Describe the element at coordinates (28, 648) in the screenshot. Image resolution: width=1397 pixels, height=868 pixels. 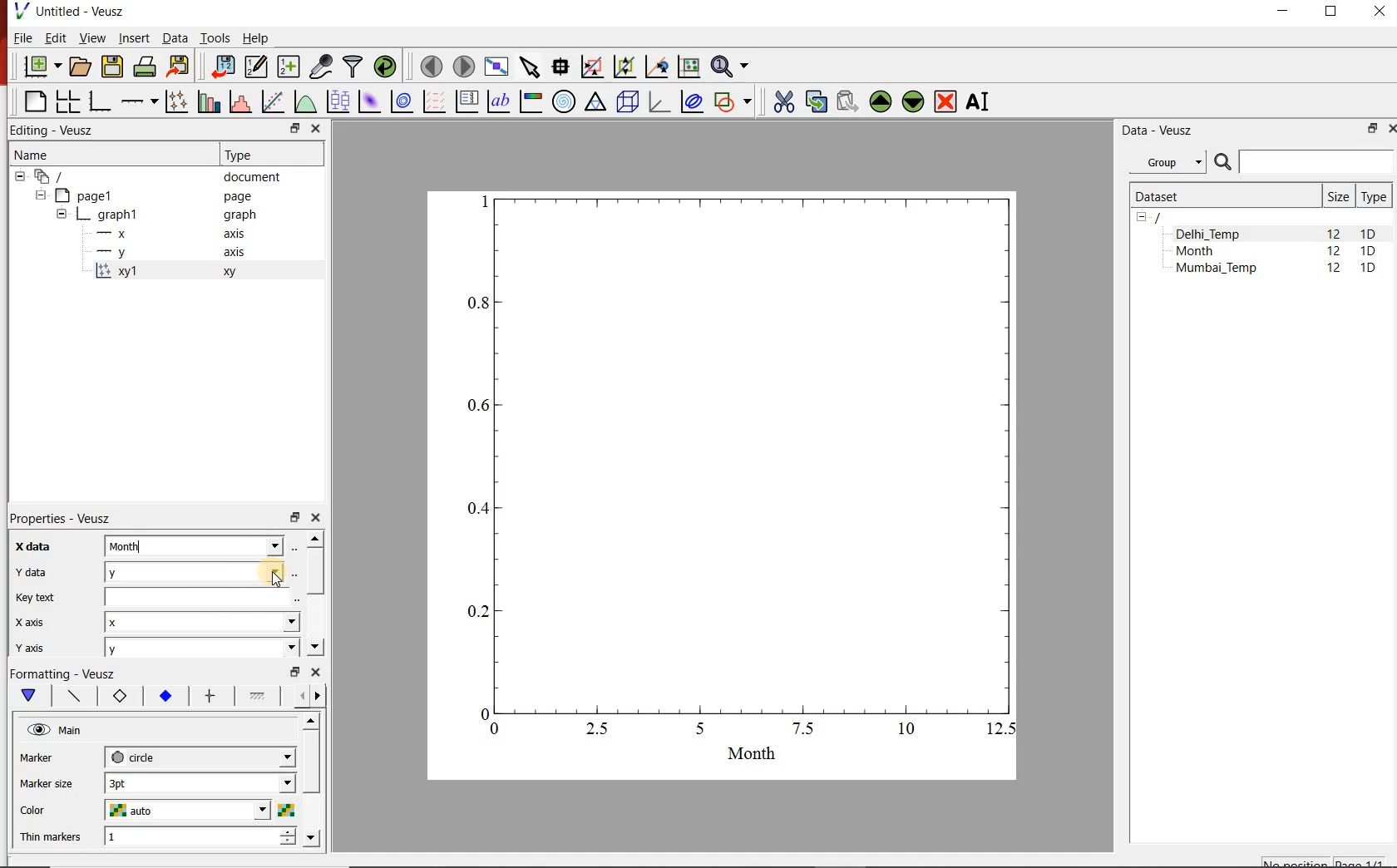
I see `y axis` at that location.